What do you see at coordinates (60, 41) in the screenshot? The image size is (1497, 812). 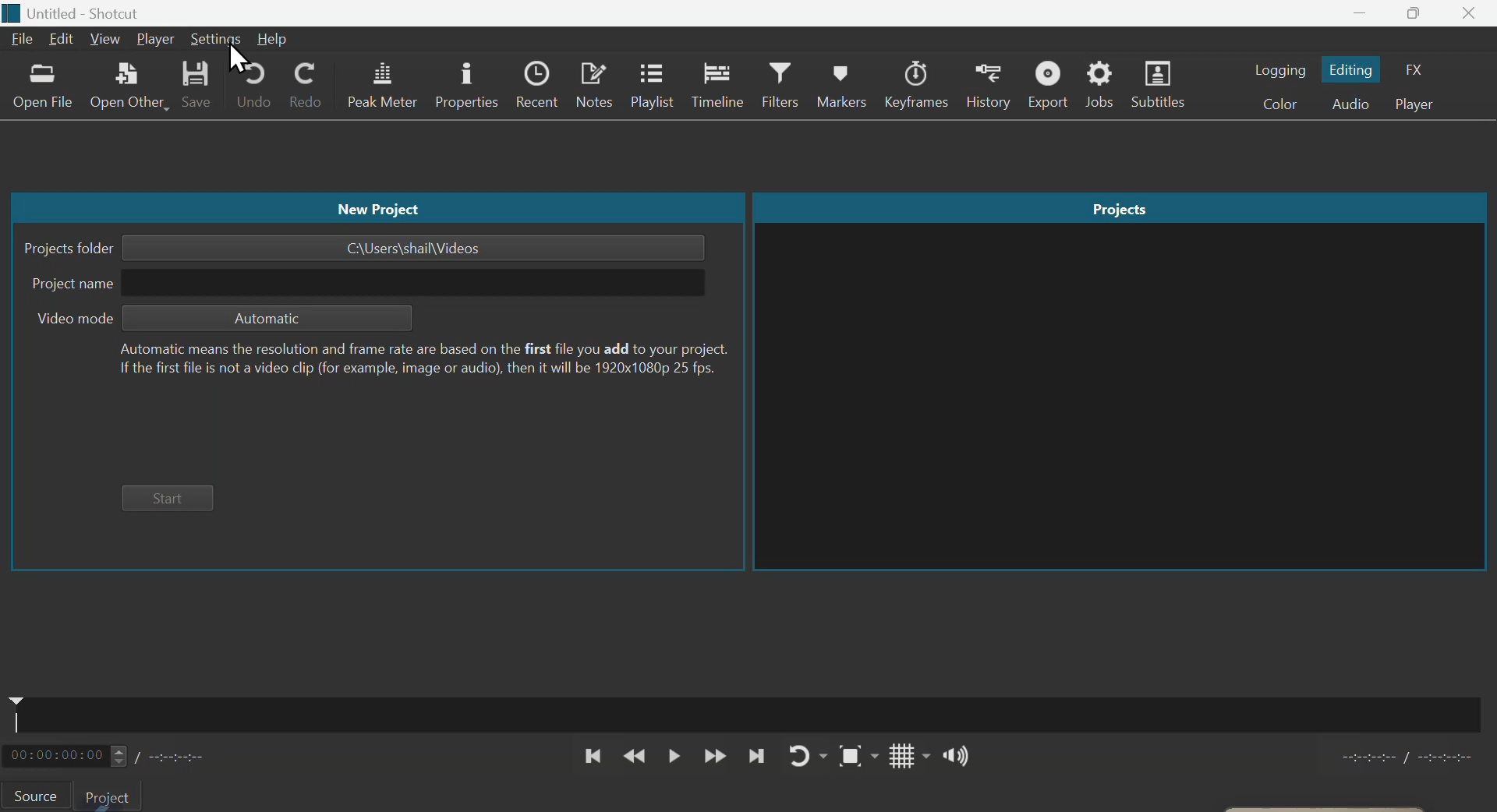 I see `Edit` at bounding box center [60, 41].